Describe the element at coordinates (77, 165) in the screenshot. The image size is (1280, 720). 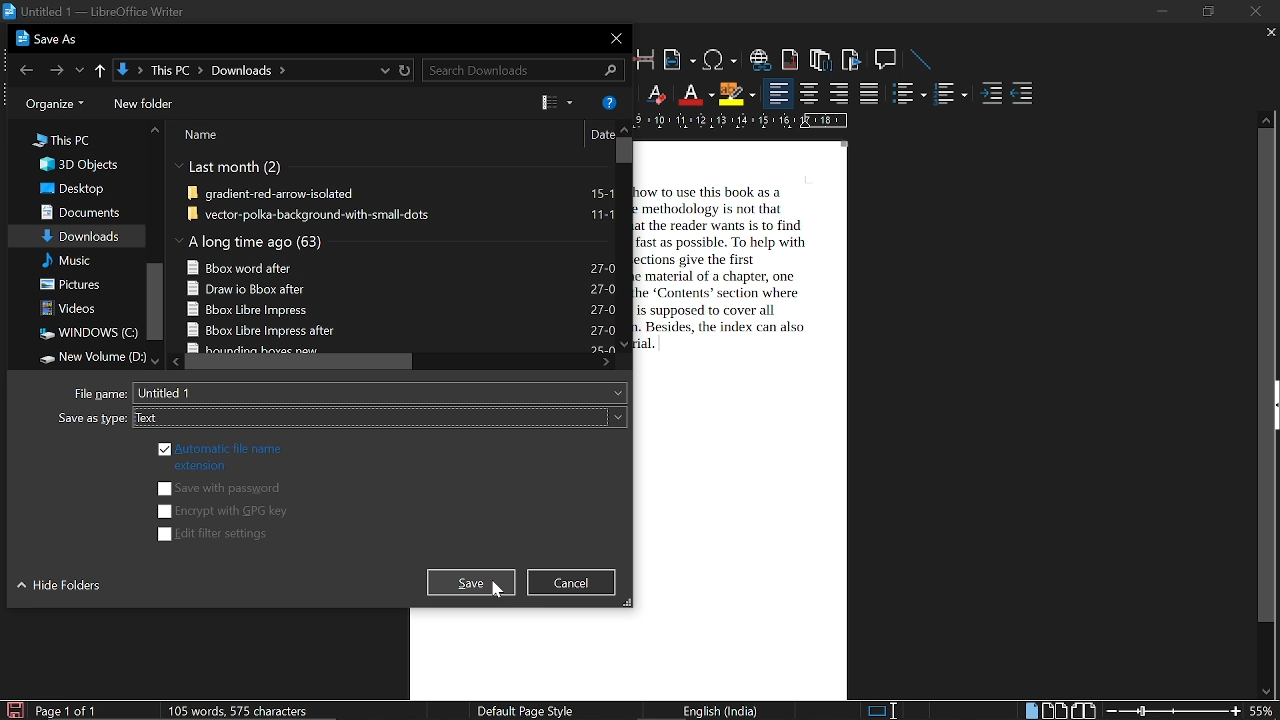
I see `3D Objects` at that location.